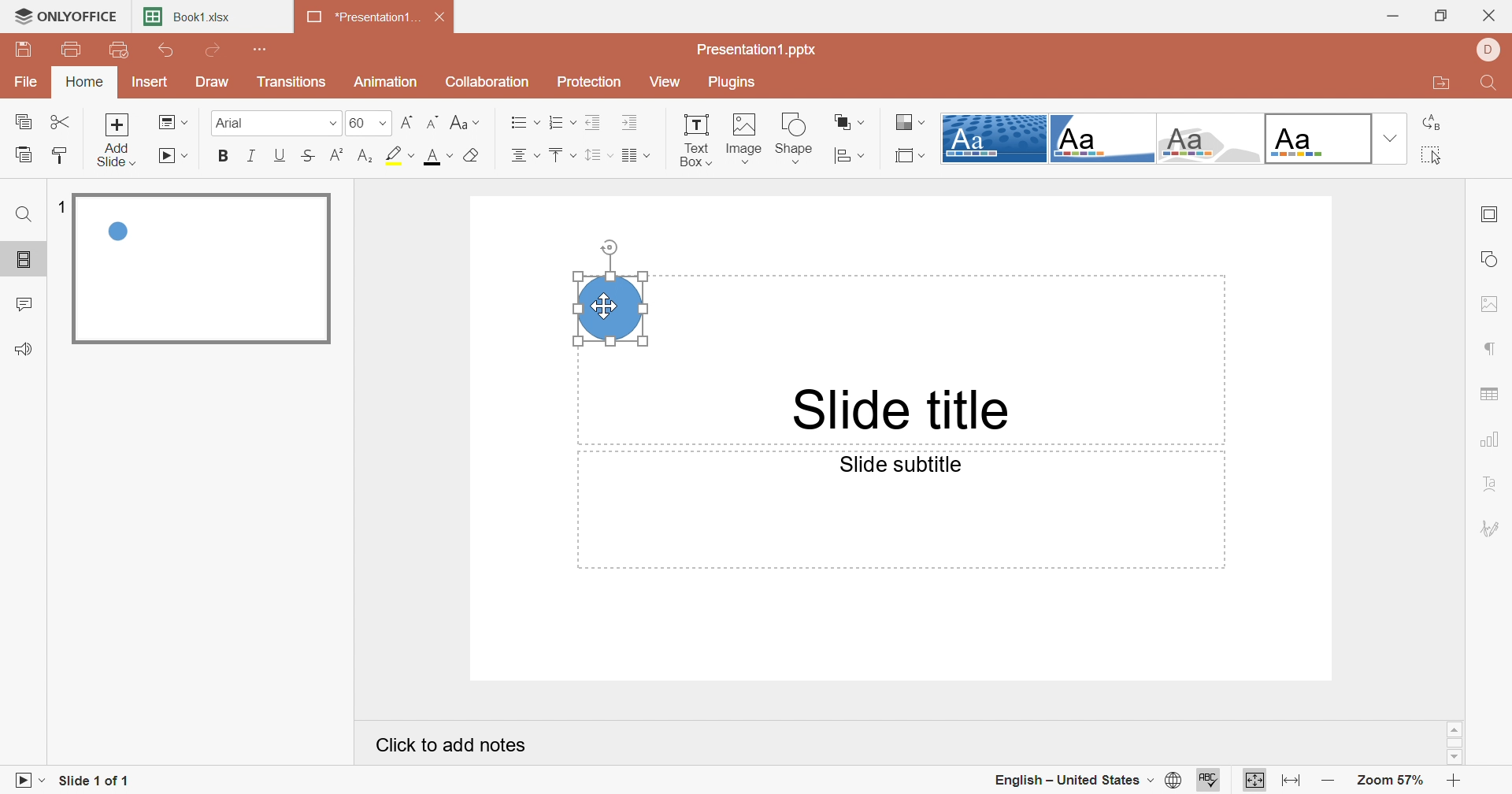 Image resolution: width=1512 pixels, height=794 pixels. What do you see at coordinates (400, 154) in the screenshot?
I see `Highlight color` at bounding box center [400, 154].